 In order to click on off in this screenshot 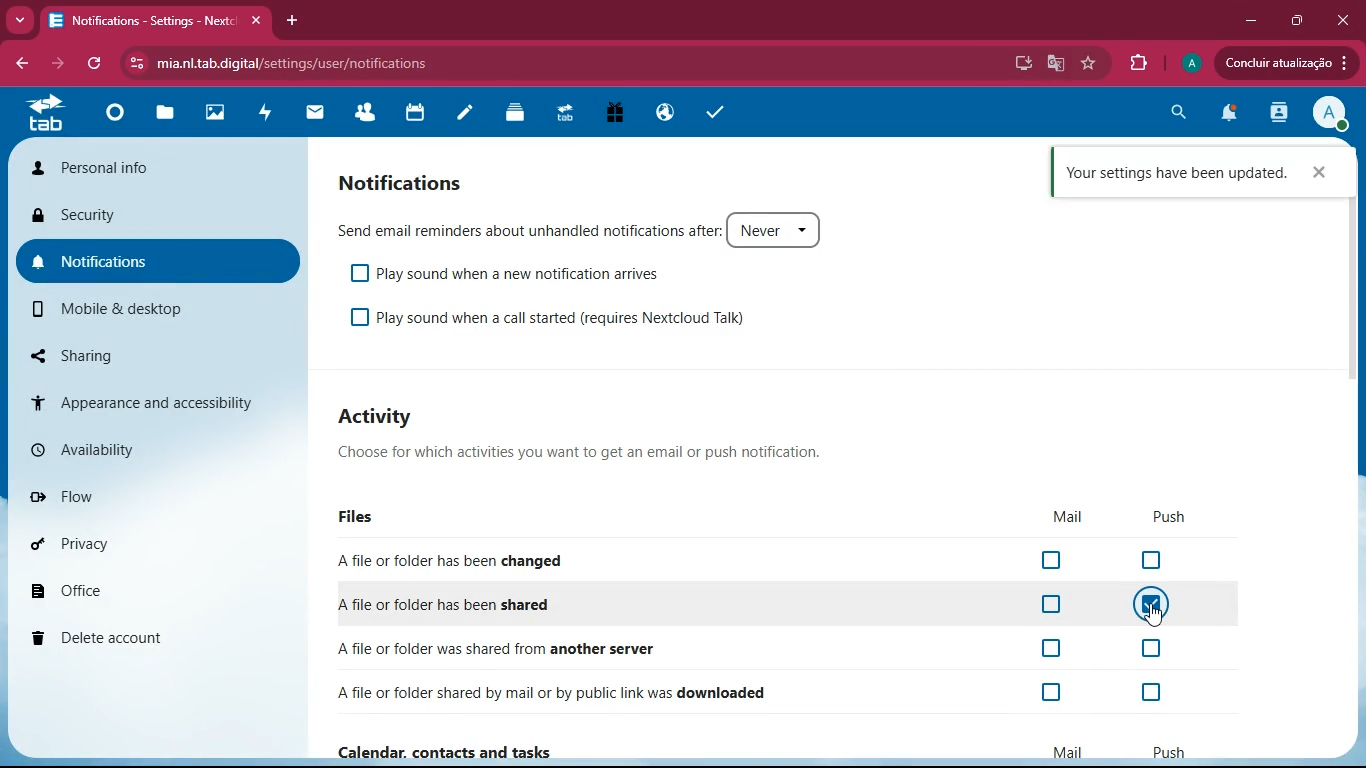, I will do `click(1053, 560)`.